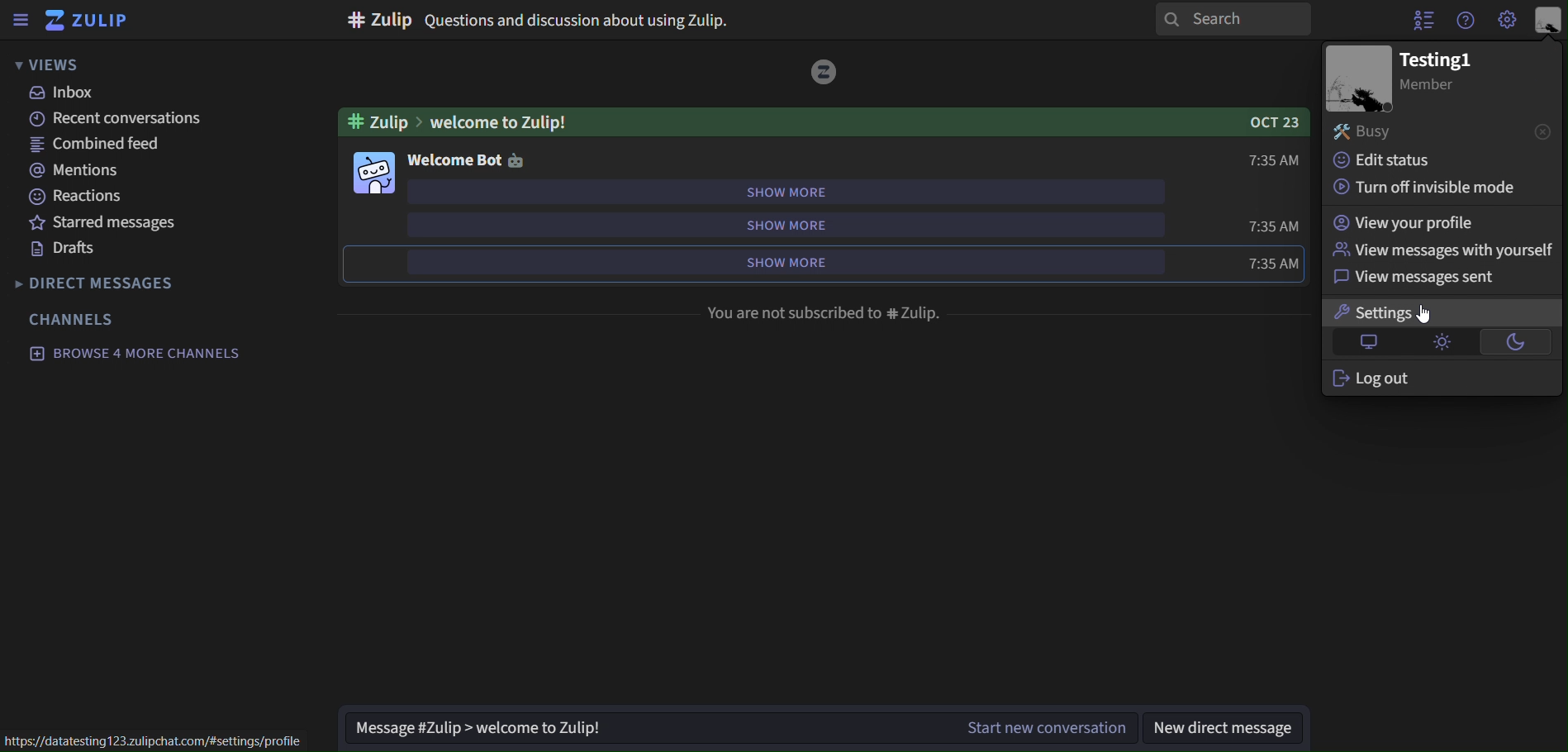 Image resolution: width=1568 pixels, height=752 pixels. Describe the element at coordinates (1441, 343) in the screenshot. I see `light theme` at that location.